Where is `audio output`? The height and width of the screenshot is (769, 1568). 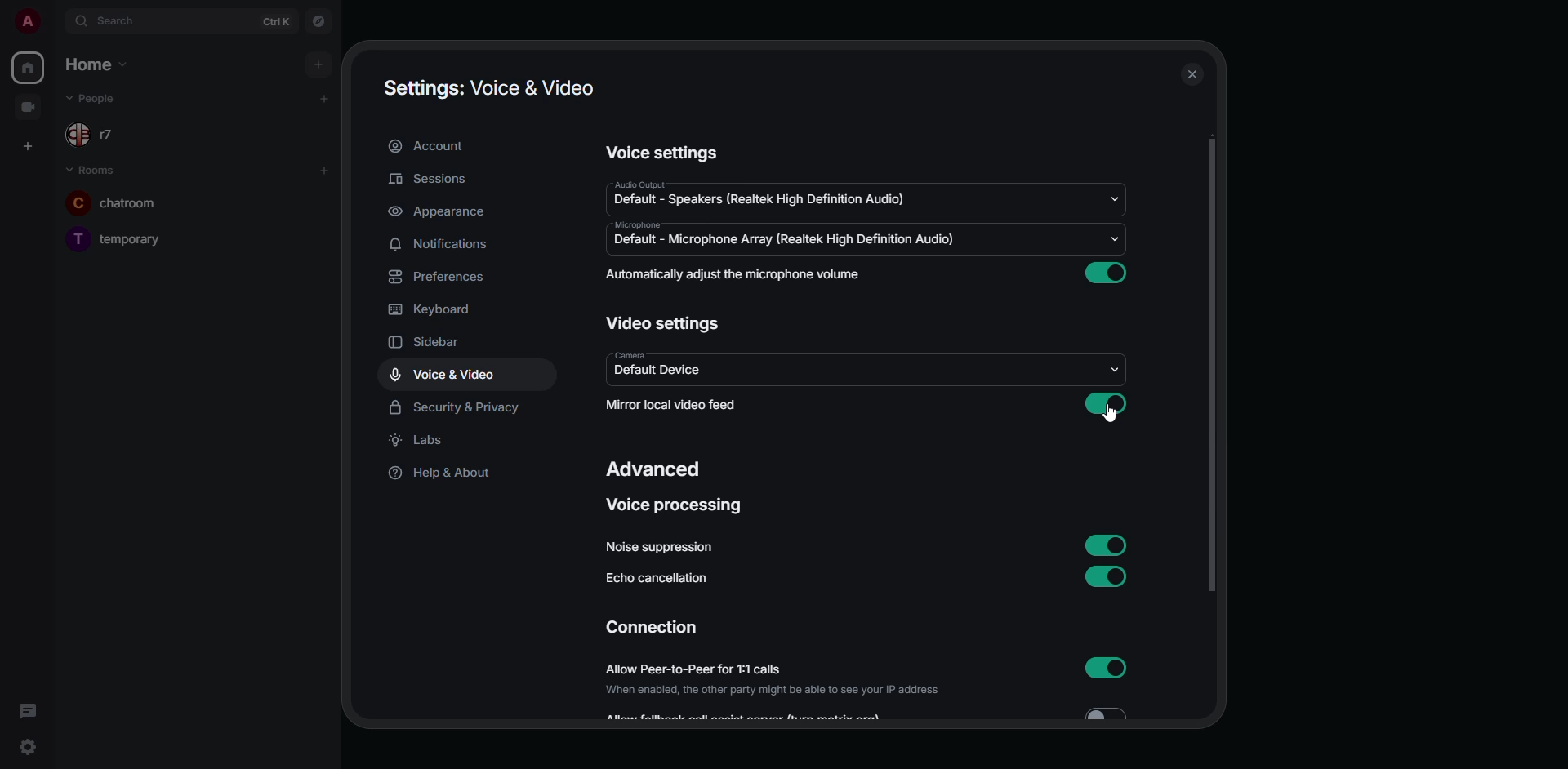 audio output is located at coordinates (635, 182).